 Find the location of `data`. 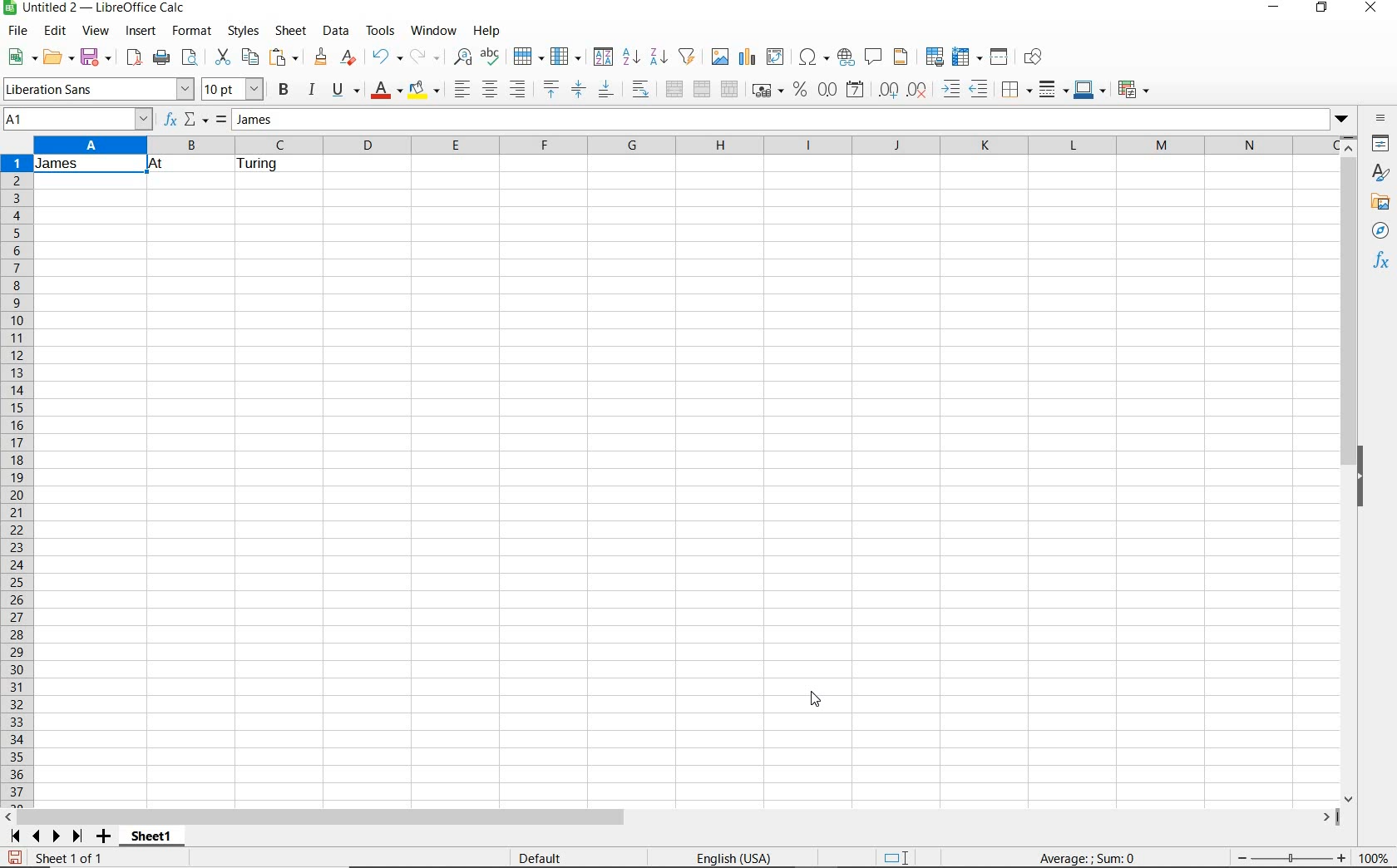

data is located at coordinates (337, 31).